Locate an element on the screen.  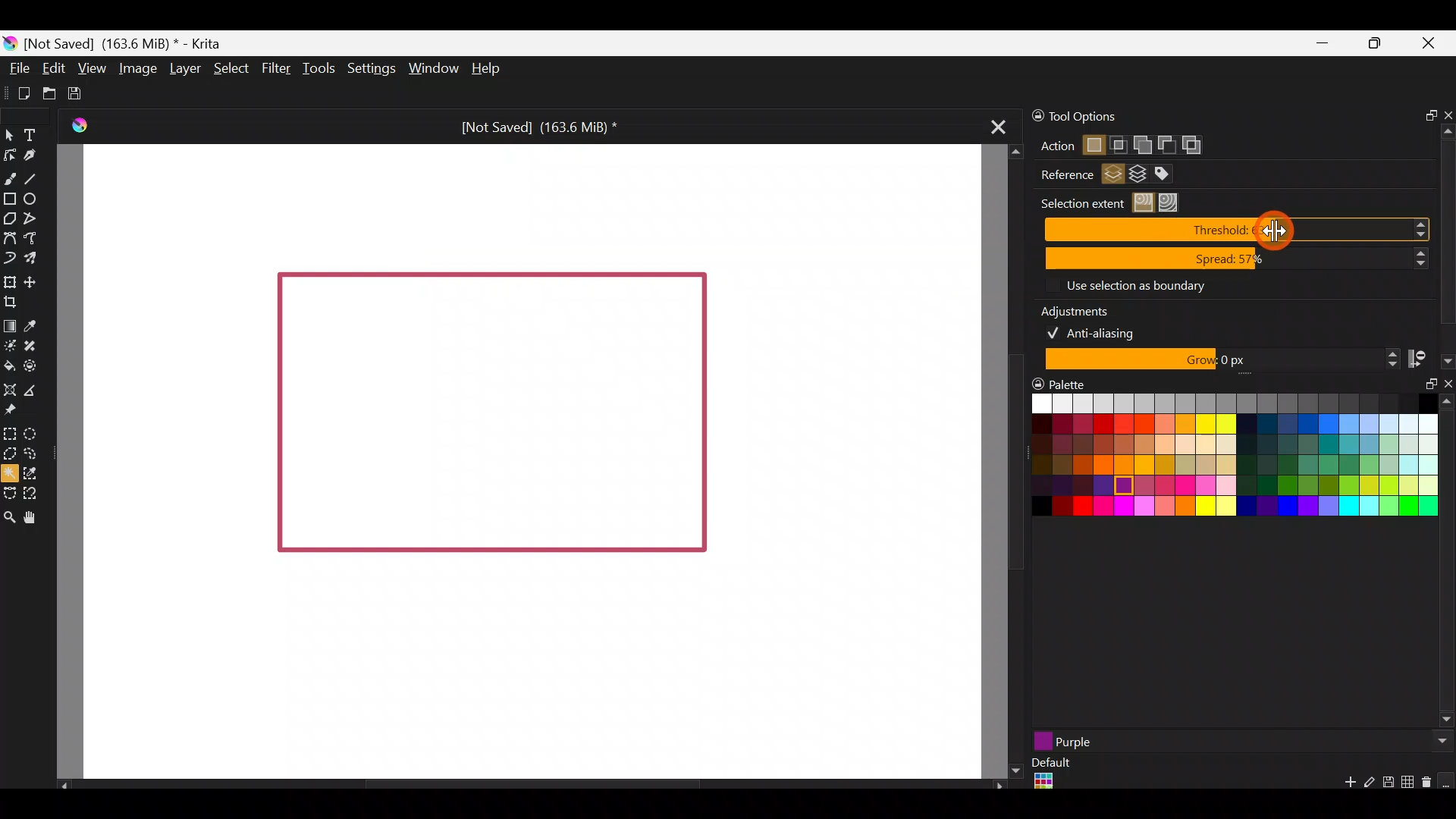
Close docker is located at coordinates (1446, 111).